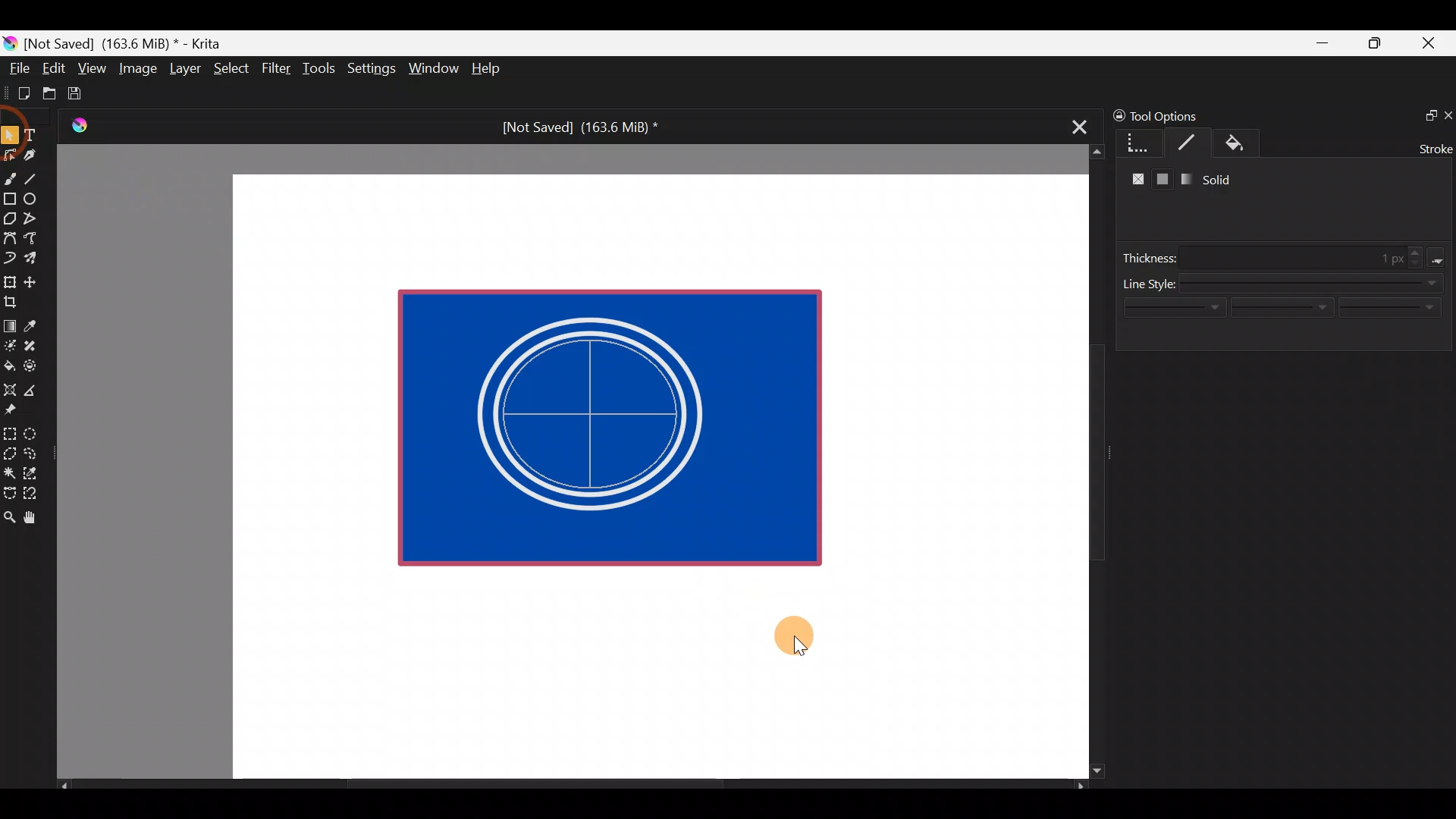 This screenshot has height=819, width=1456. I want to click on Enclose & fill tool, so click(33, 363).